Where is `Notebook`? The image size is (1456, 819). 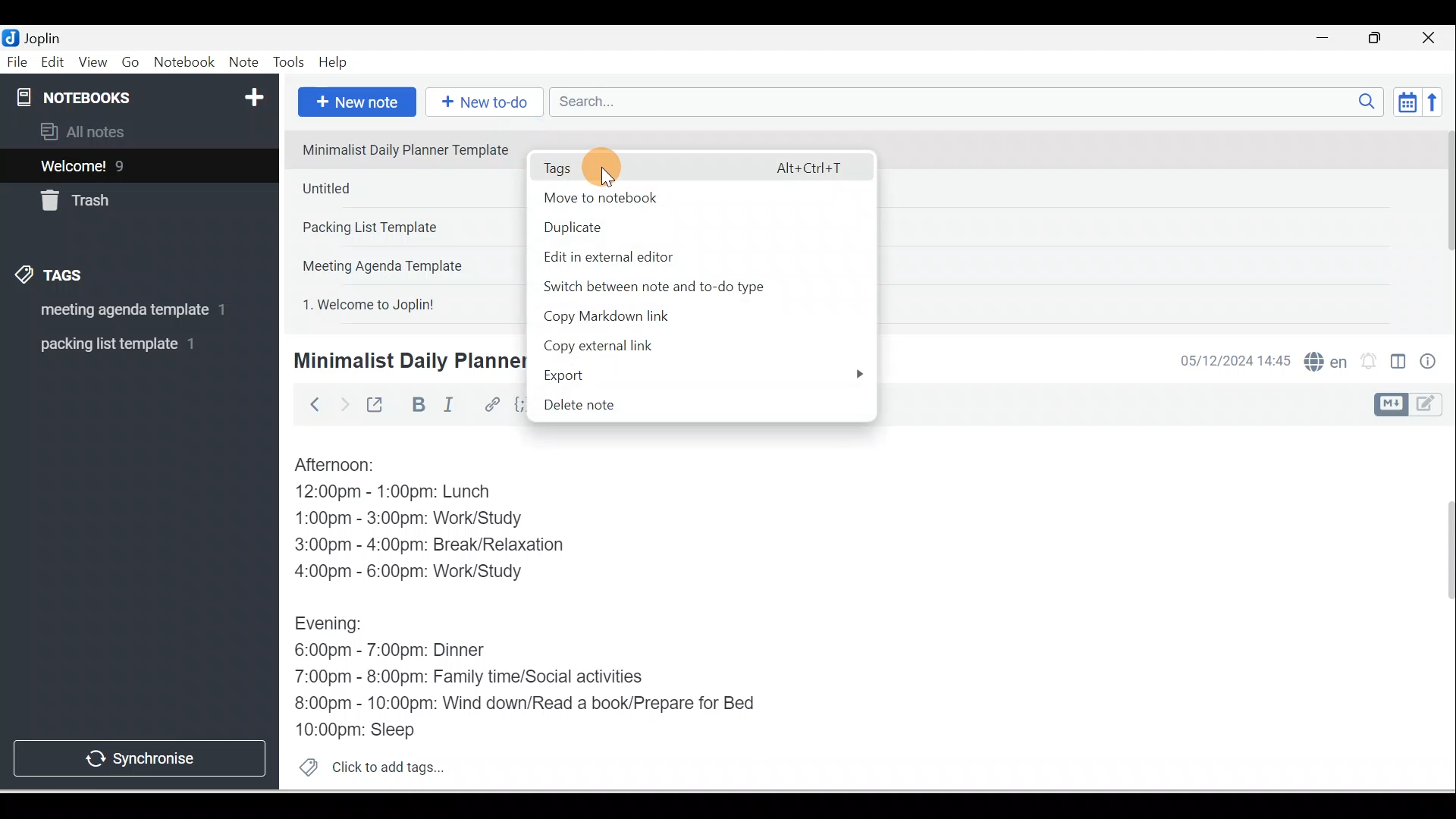
Notebook is located at coordinates (184, 63).